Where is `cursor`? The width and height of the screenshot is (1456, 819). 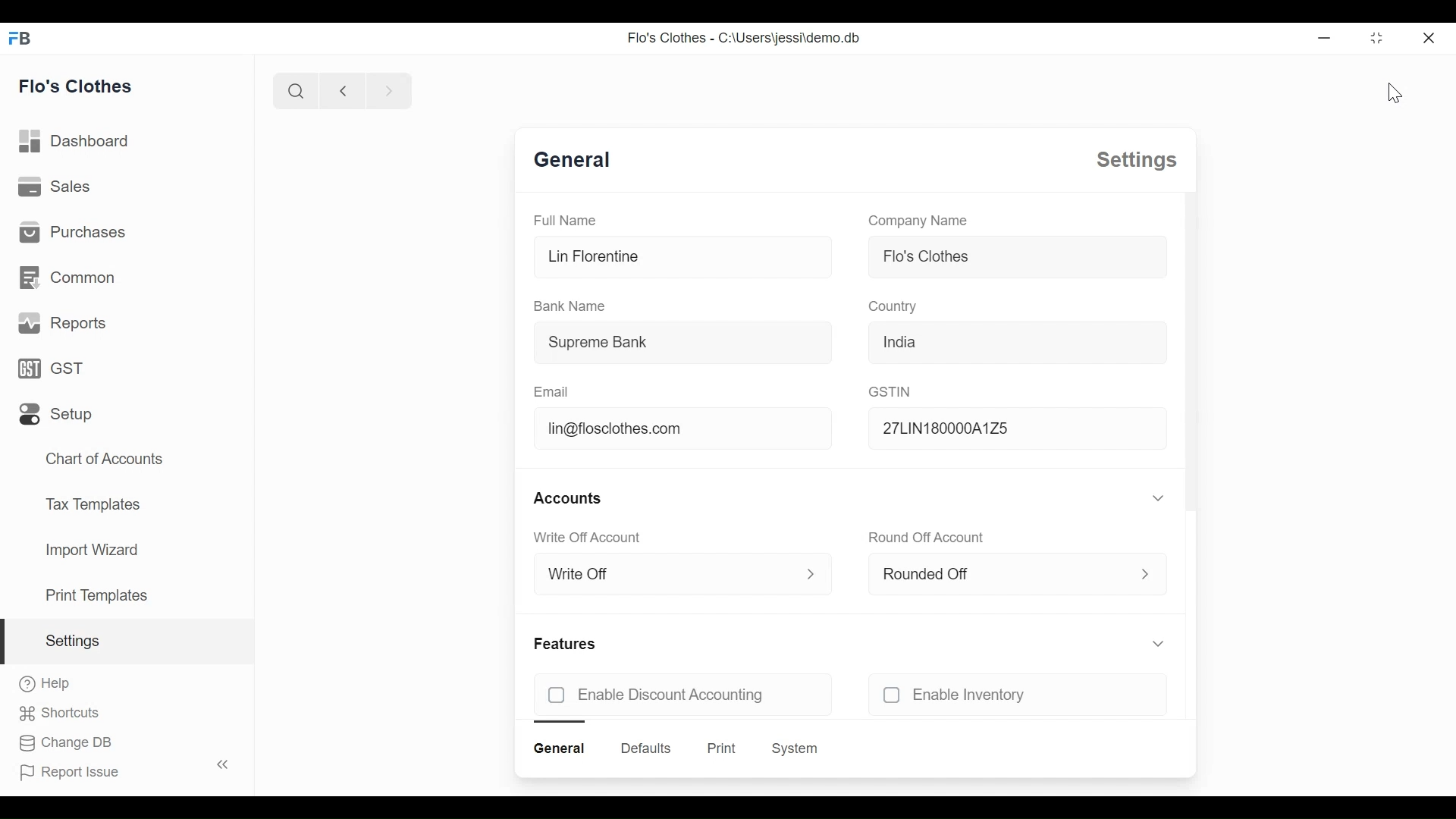 cursor is located at coordinates (1390, 94).